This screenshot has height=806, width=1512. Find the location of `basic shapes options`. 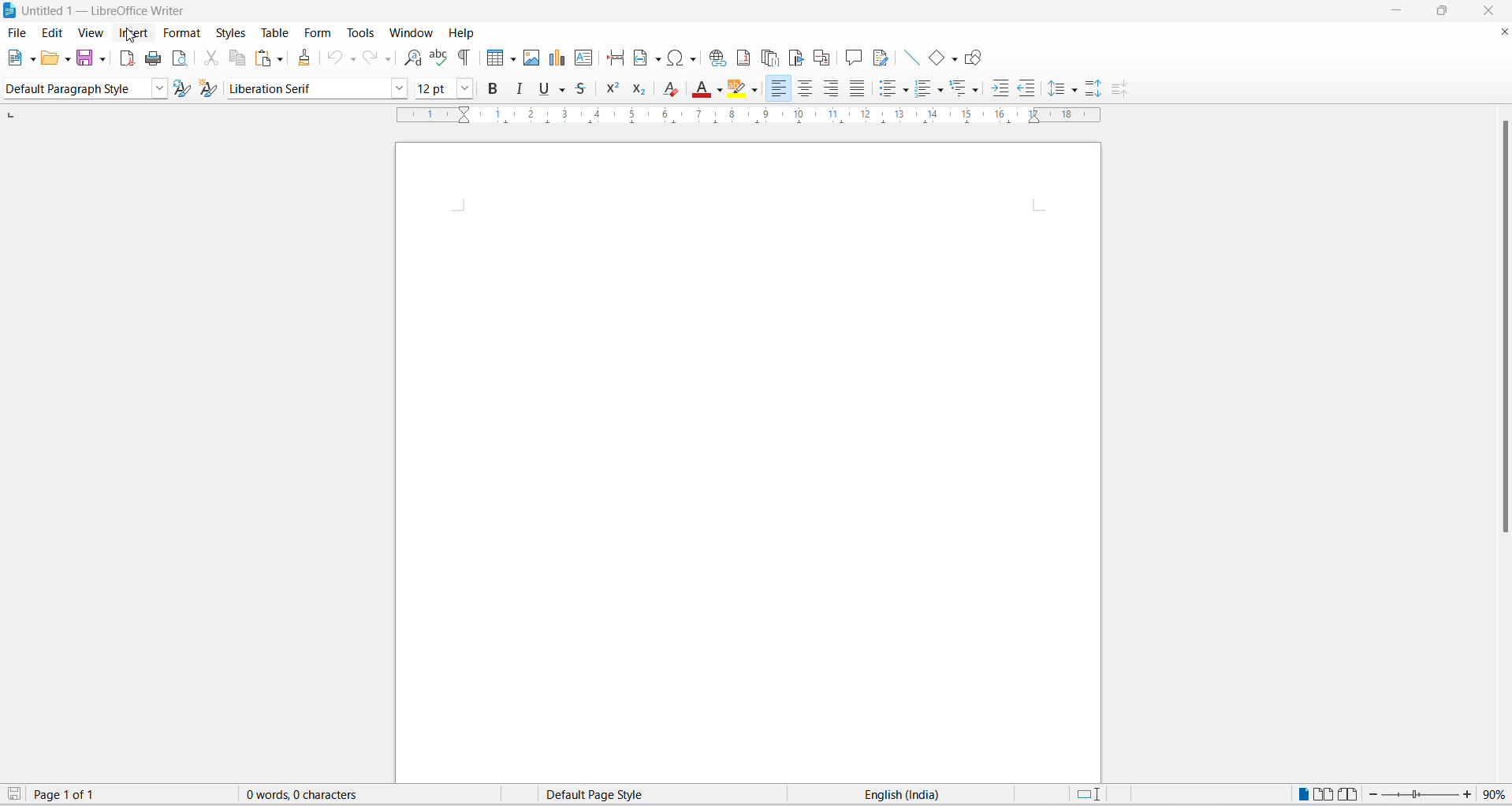

basic shapes options is located at coordinates (953, 60).